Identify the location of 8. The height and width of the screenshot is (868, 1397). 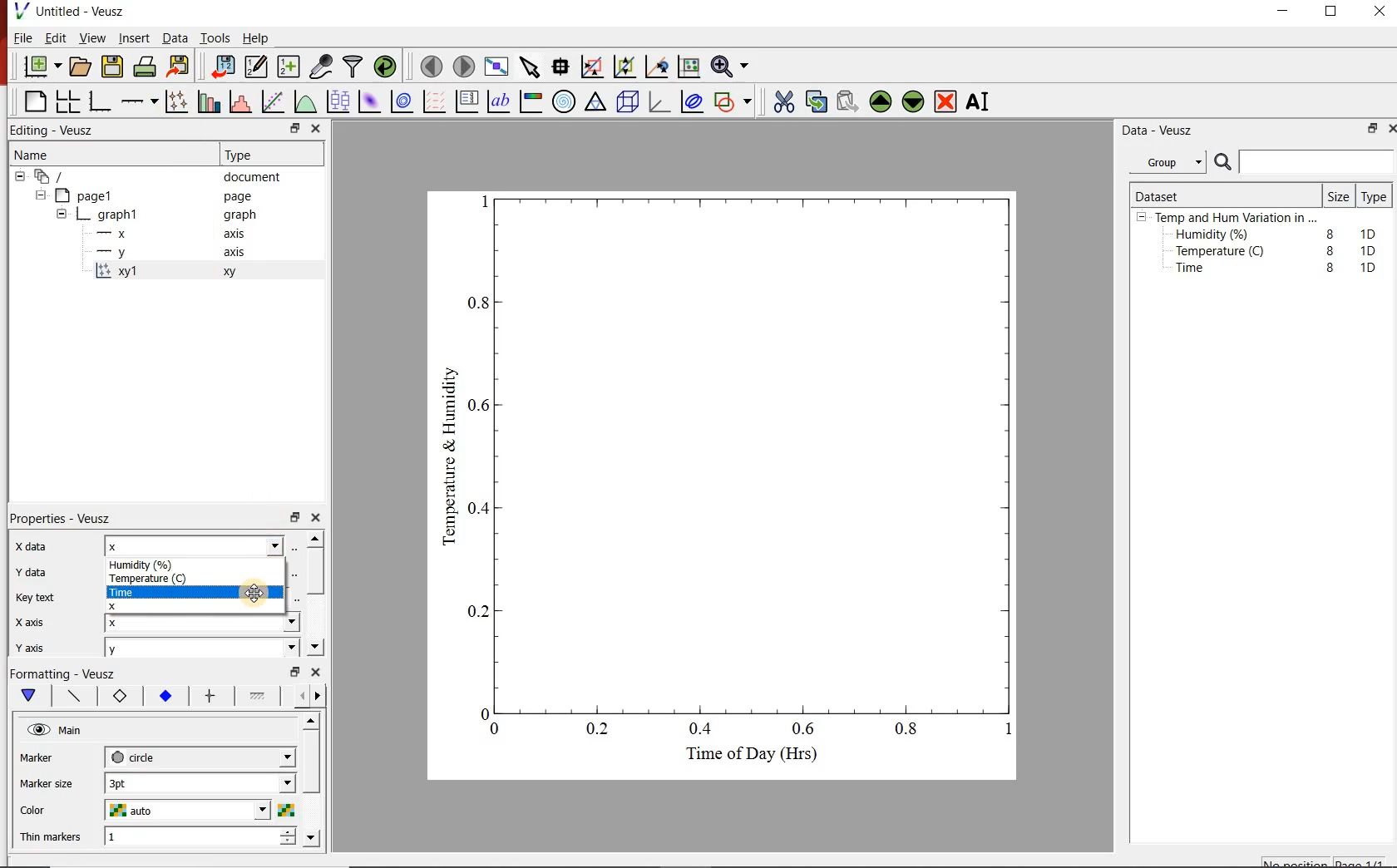
(1327, 231).